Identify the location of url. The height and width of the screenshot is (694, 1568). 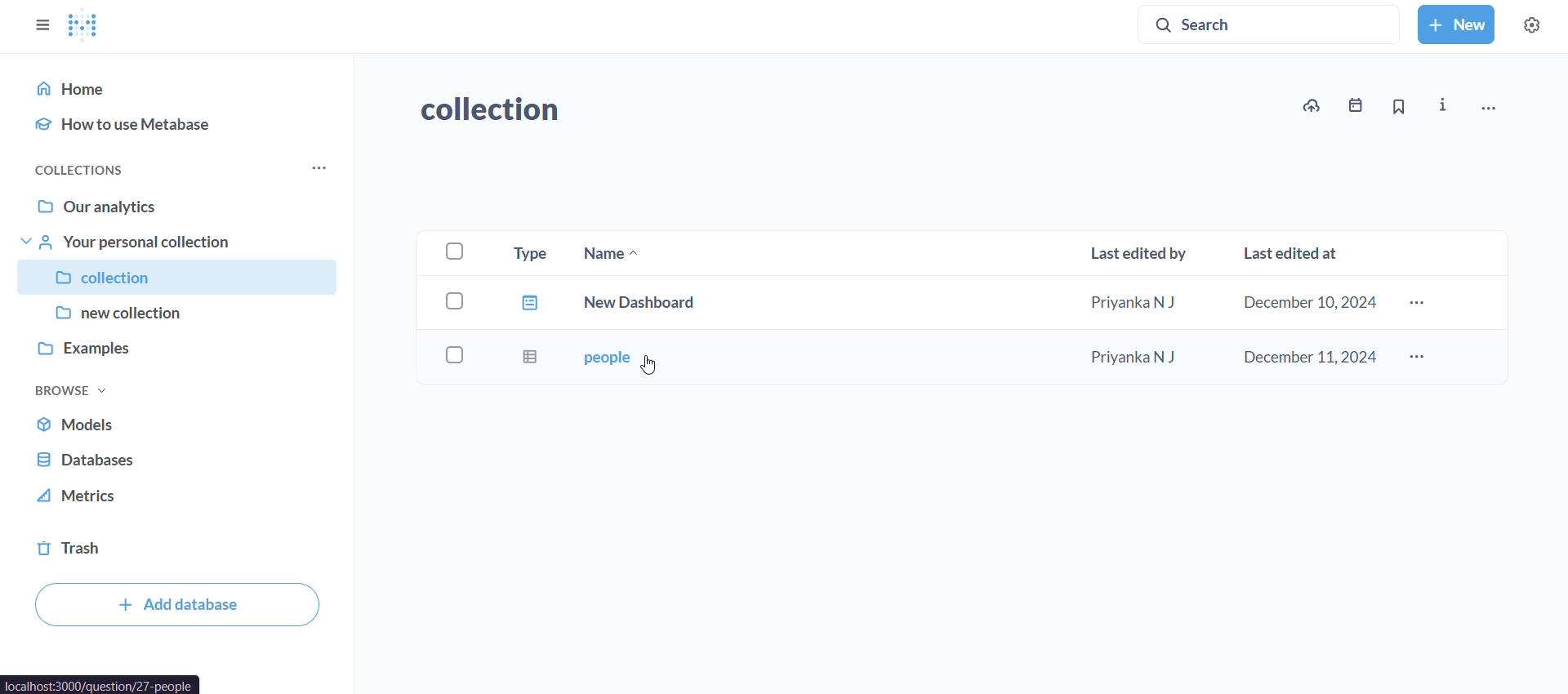
(102, 684).